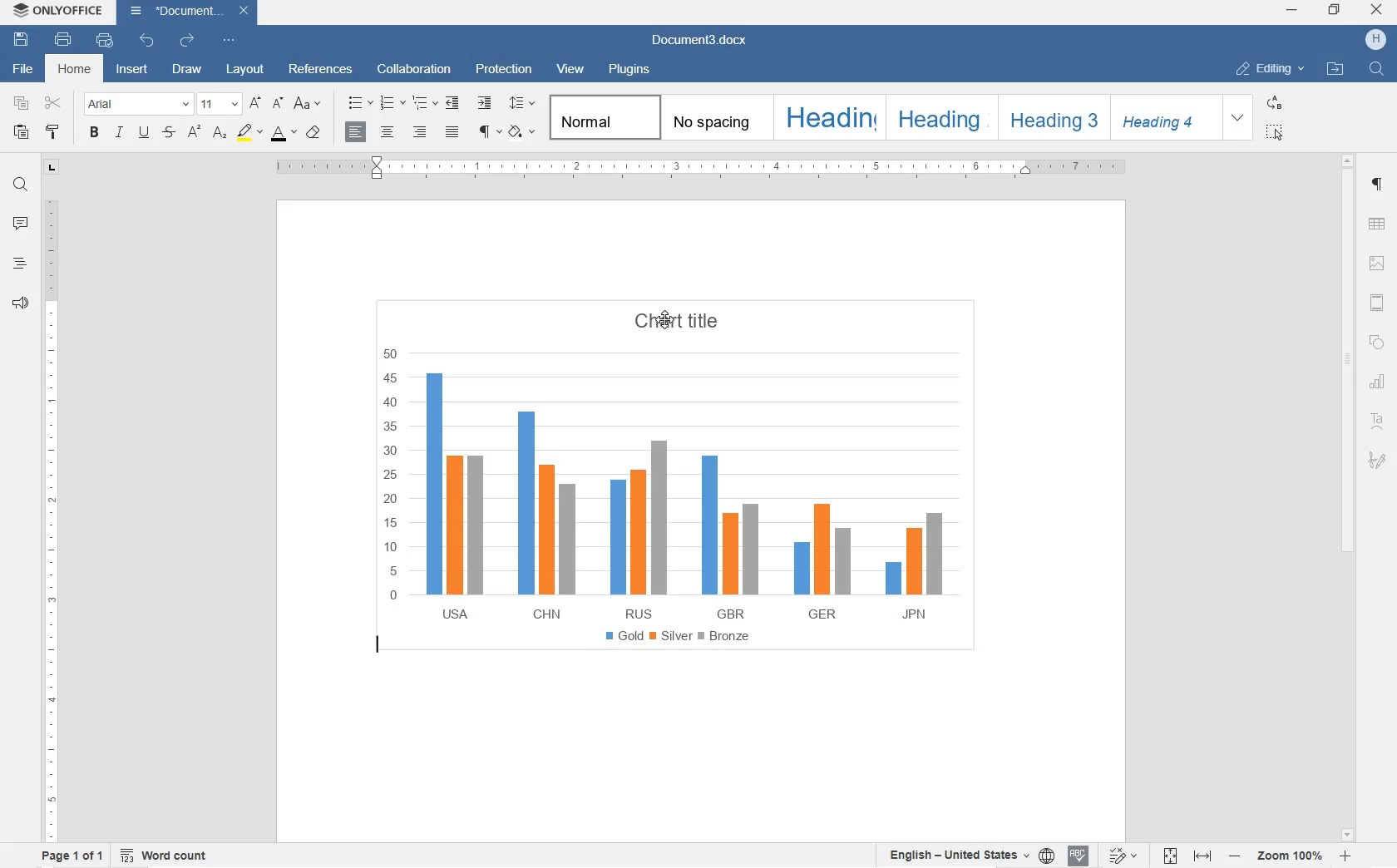  Describe the element at coordinates (501, 69) in the screenshot. I see `PROTECTION` at that location.